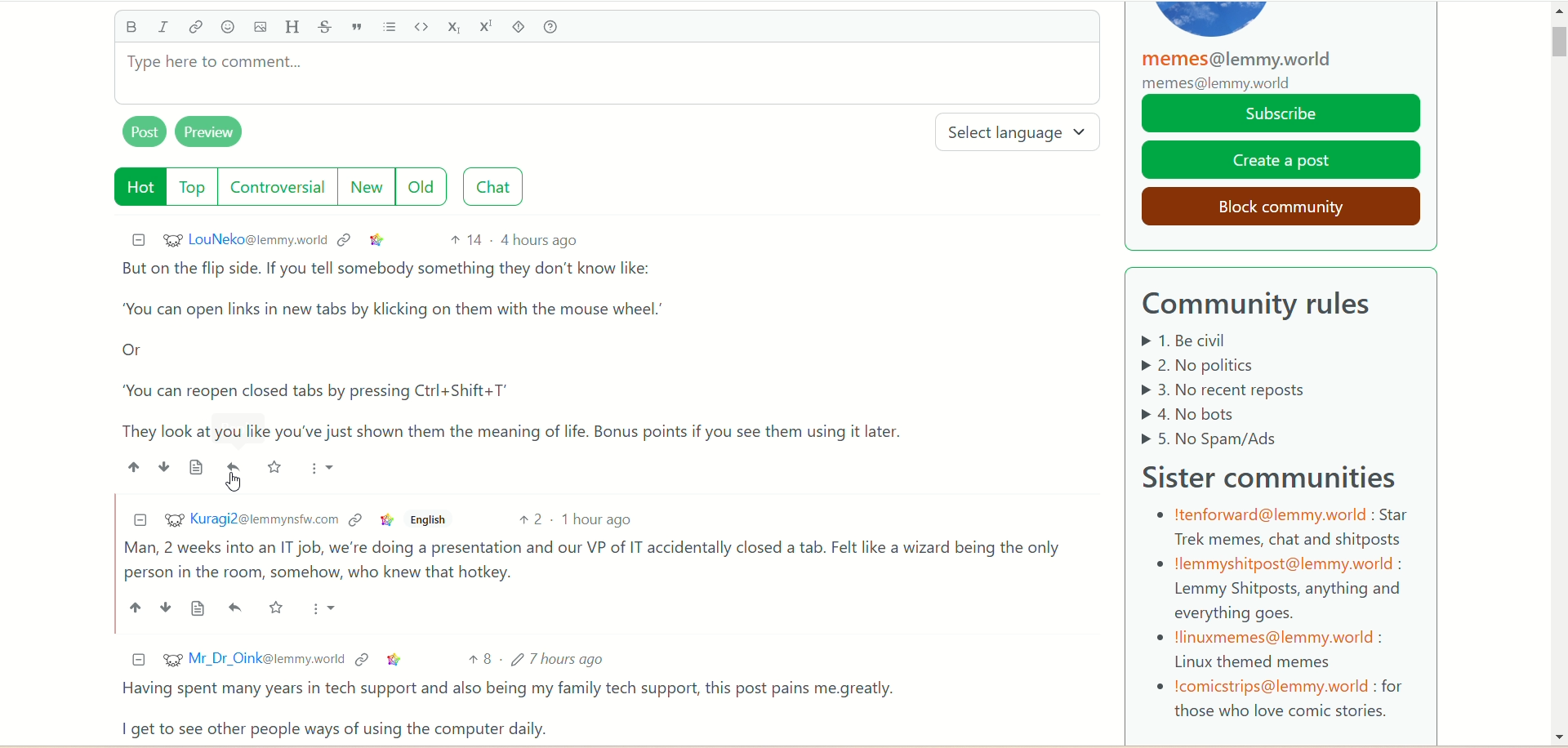  Describe the element at coordinates (361, 28) in the screenshot. I see `quote` at that location.